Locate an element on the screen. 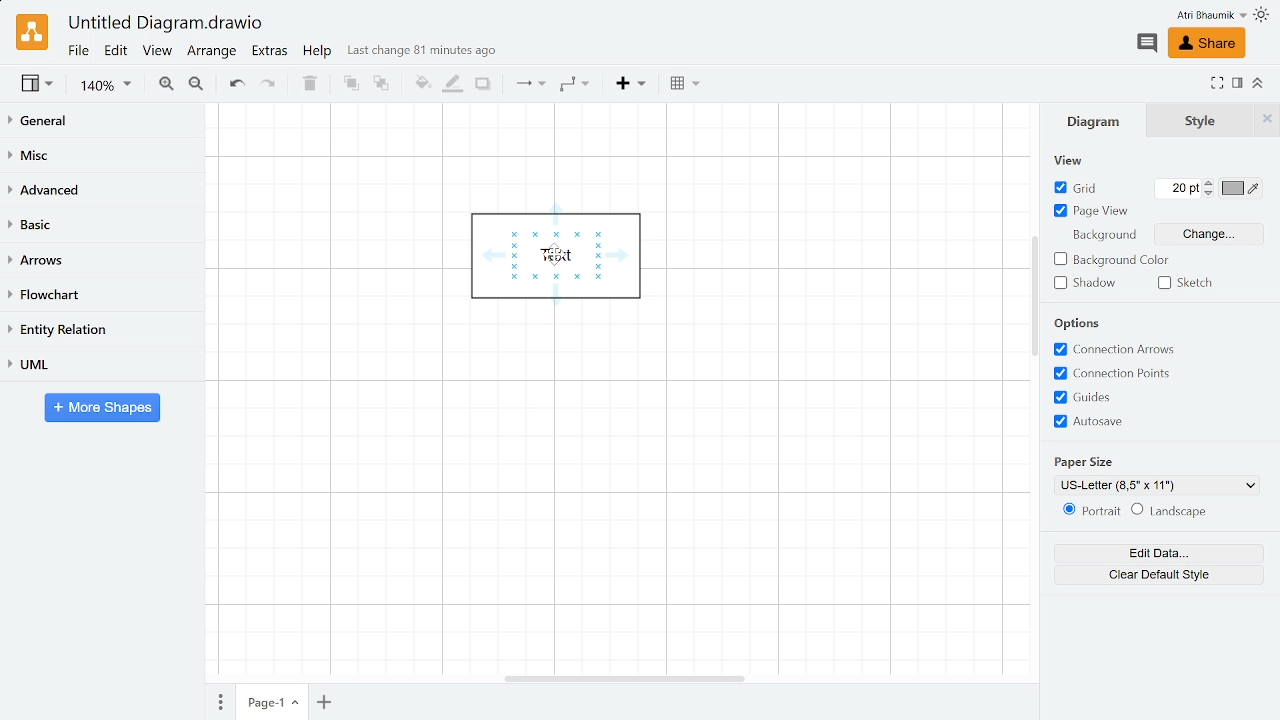 This screenshot has width=1280, height=720. View is located at coordinates (158, 53).